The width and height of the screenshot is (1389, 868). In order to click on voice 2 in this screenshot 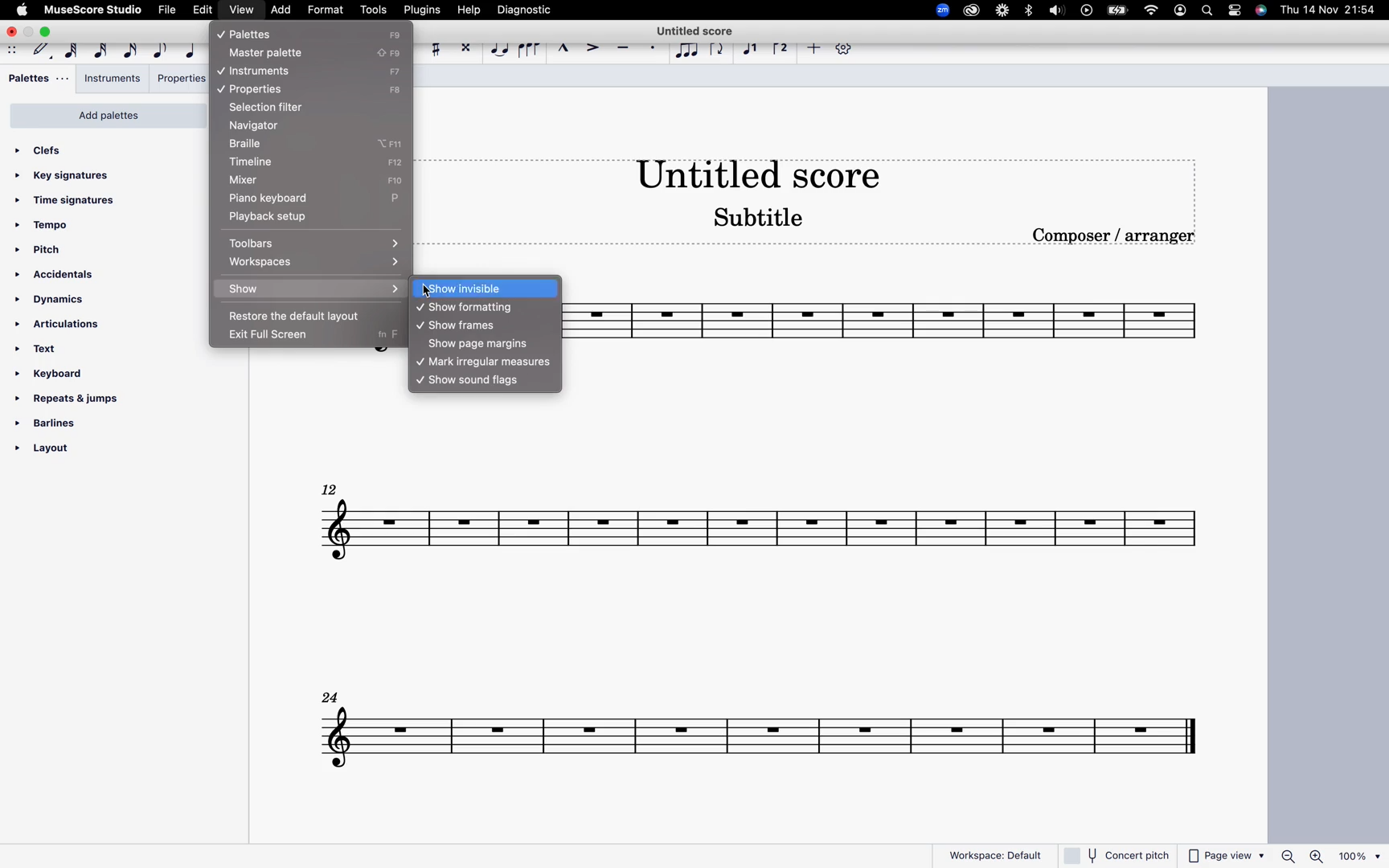, I will do `click(780, 50)`.